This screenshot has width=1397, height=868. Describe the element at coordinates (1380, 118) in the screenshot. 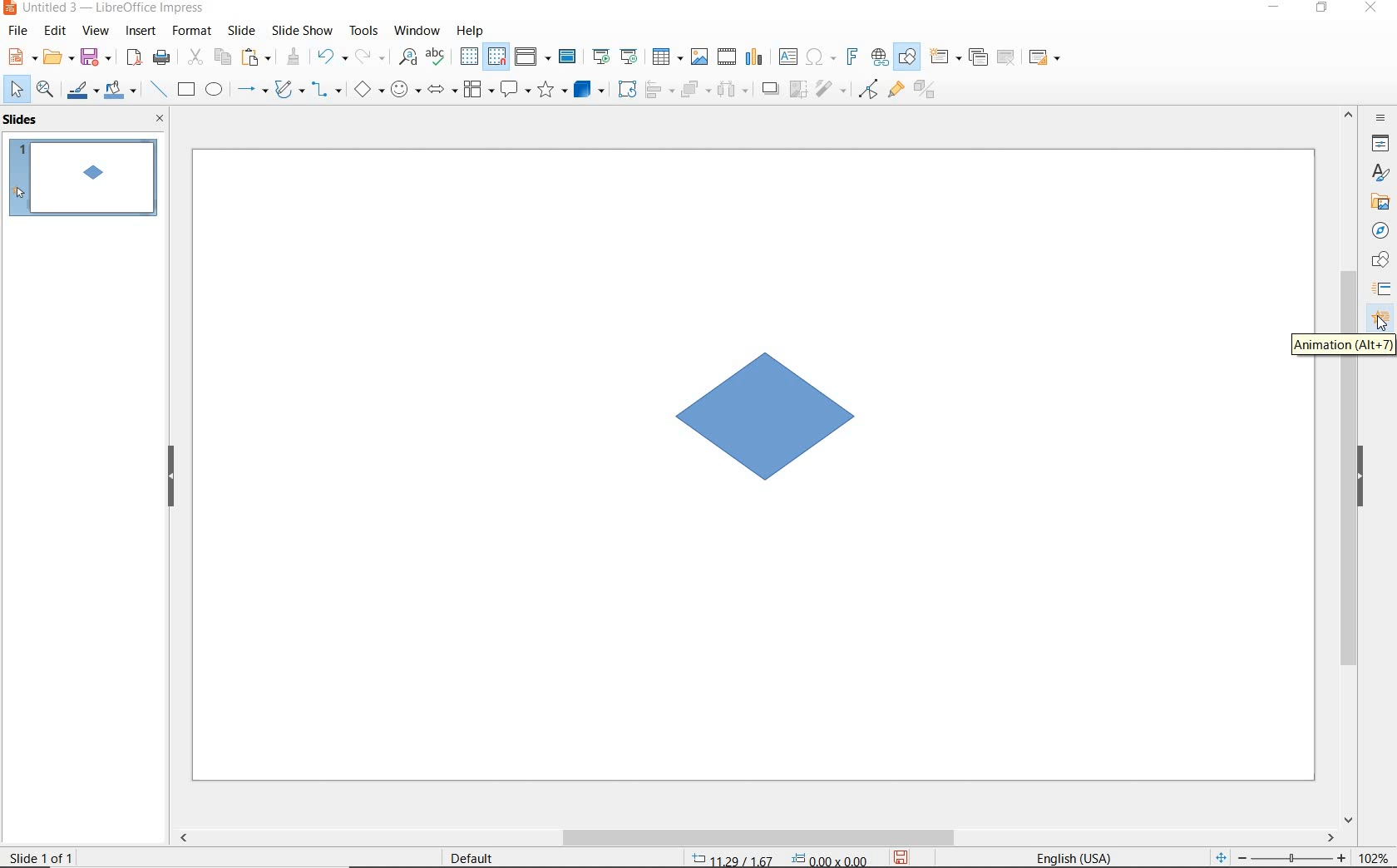

I see `sidebar settings` at that location.